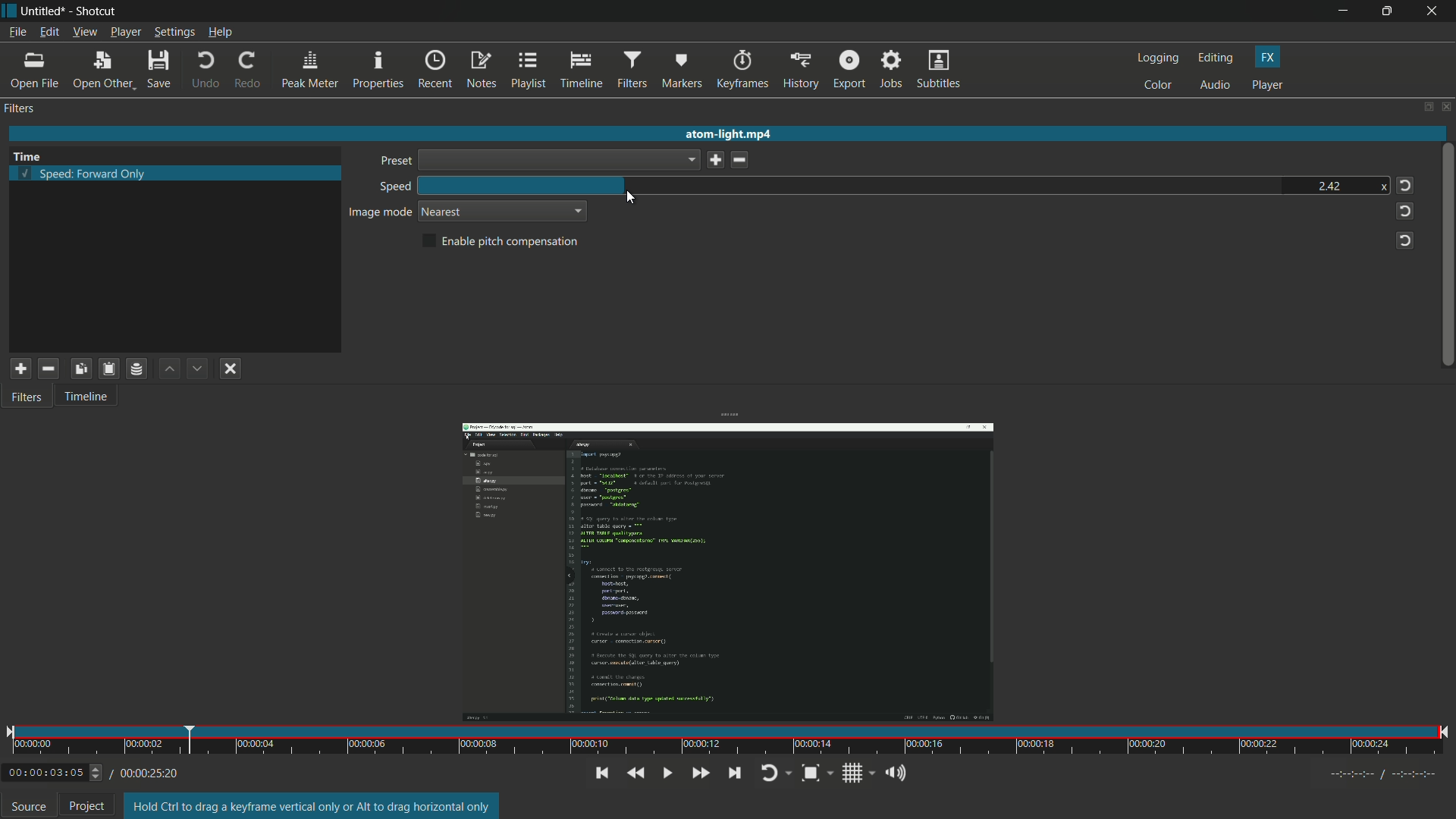  Describe the element at coordinates (1367, 773) in the screenshot. I see `Timecodes` at that location.